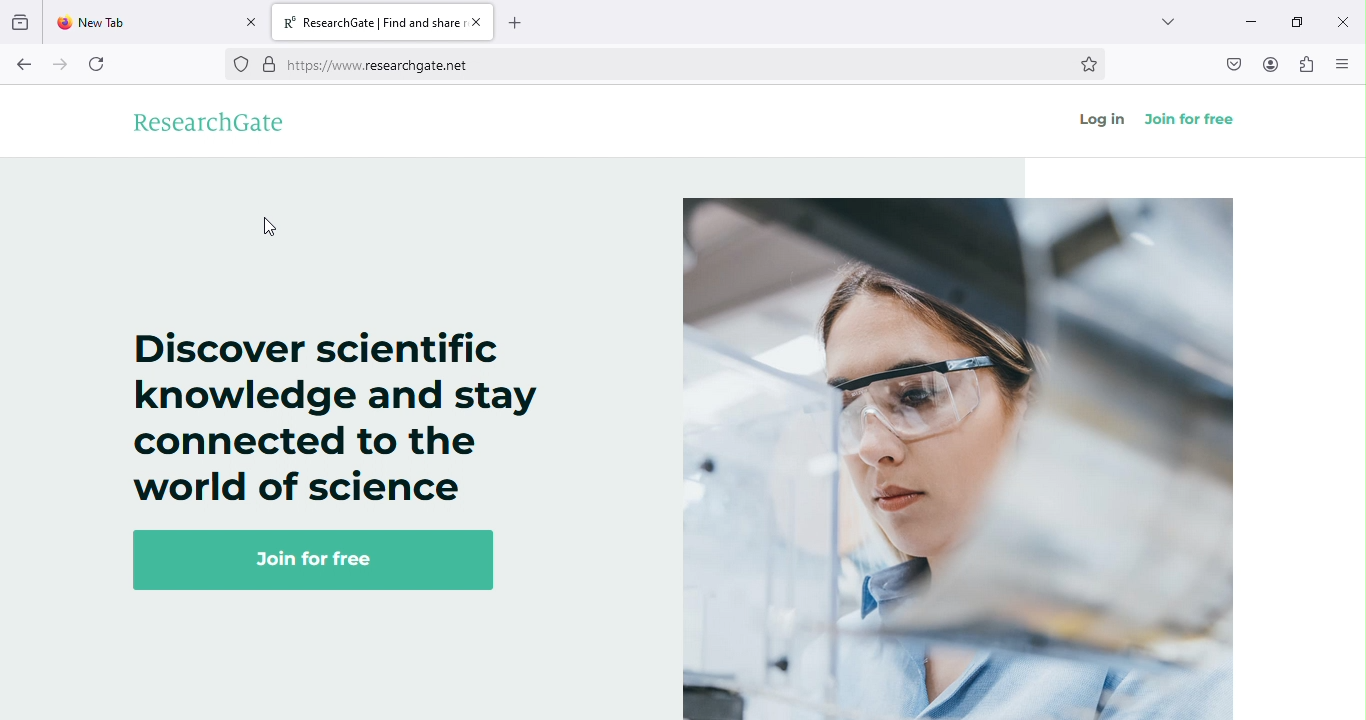 The height and width of the screenshot is (720, 1366). Describe the element at coordinates (1252, 20) in the screenshot. I see `minimize` at that location.